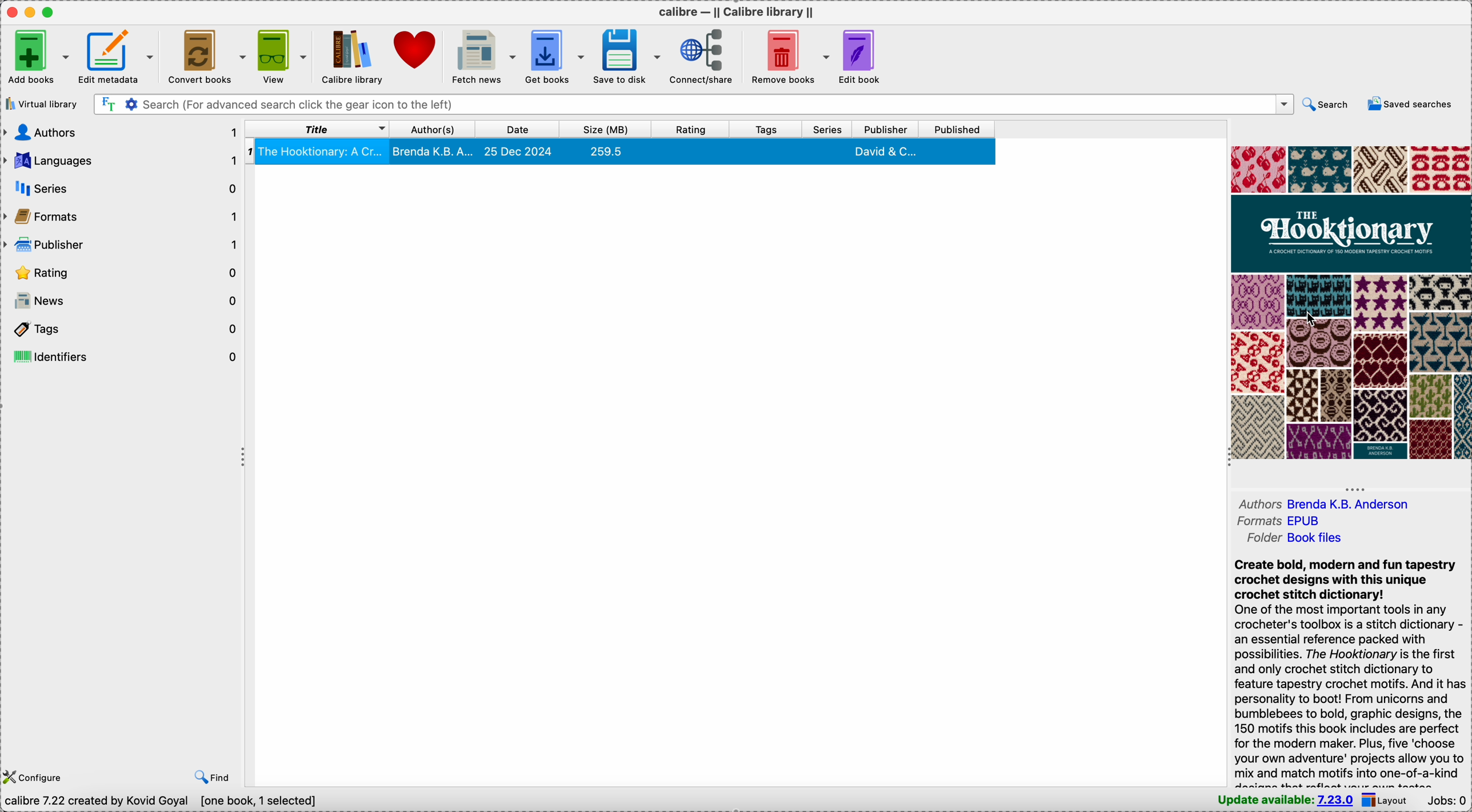  I want to click on rating, so click(123, 272).